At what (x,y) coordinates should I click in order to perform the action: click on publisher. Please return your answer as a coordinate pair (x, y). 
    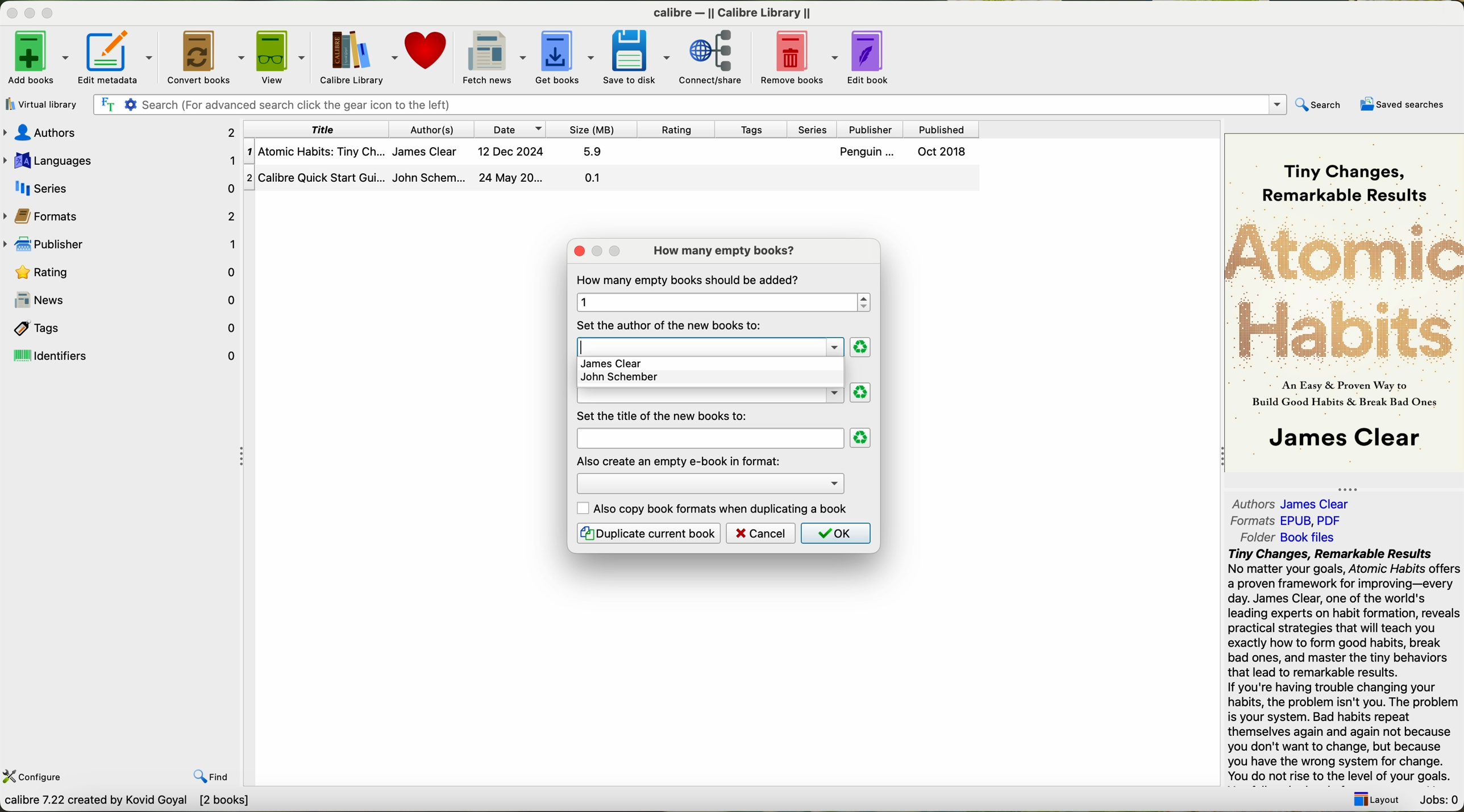
    Looking at the image, I should click on (875, 129).